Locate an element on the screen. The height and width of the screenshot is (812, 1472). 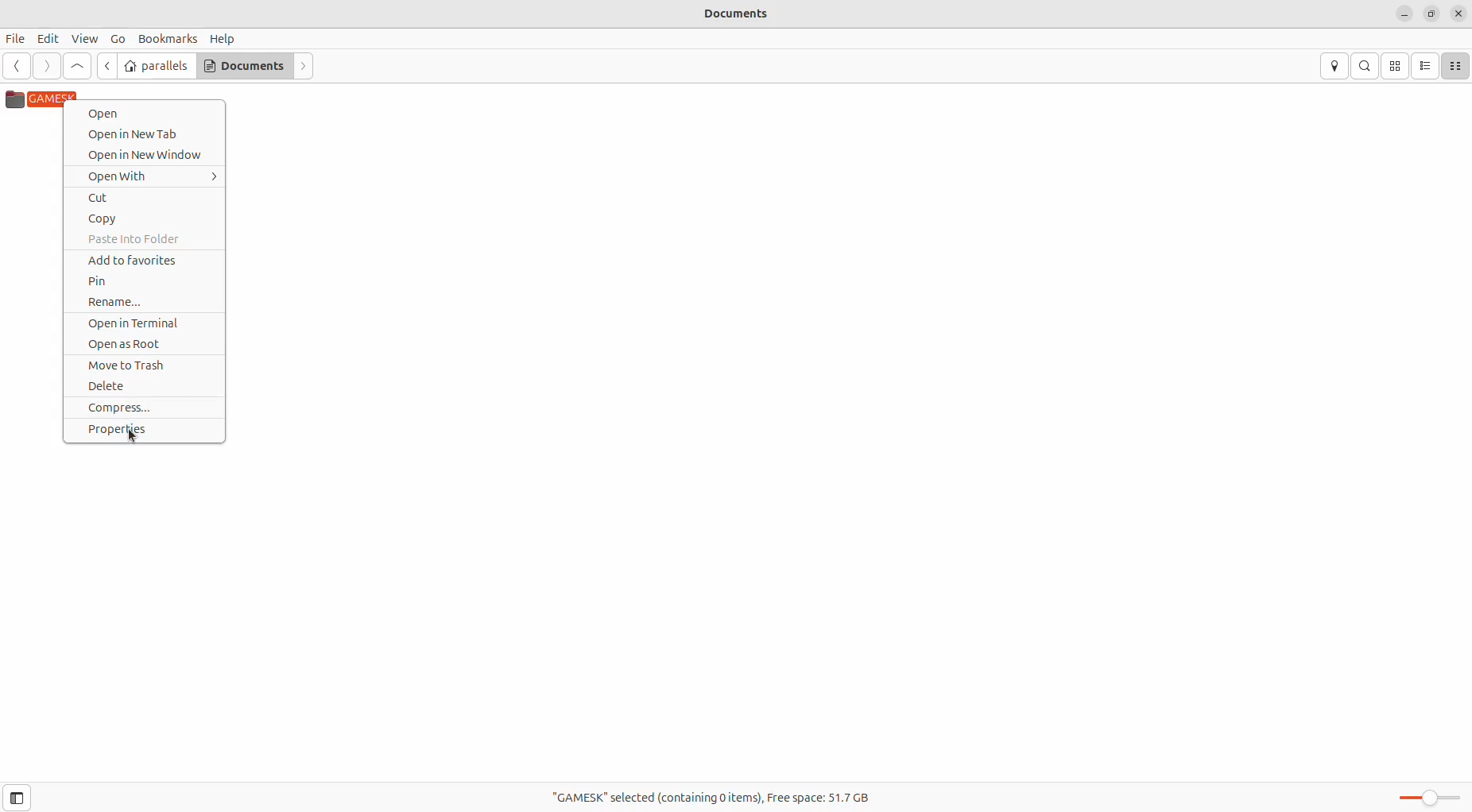
location is located at coordinates (1335, 68).